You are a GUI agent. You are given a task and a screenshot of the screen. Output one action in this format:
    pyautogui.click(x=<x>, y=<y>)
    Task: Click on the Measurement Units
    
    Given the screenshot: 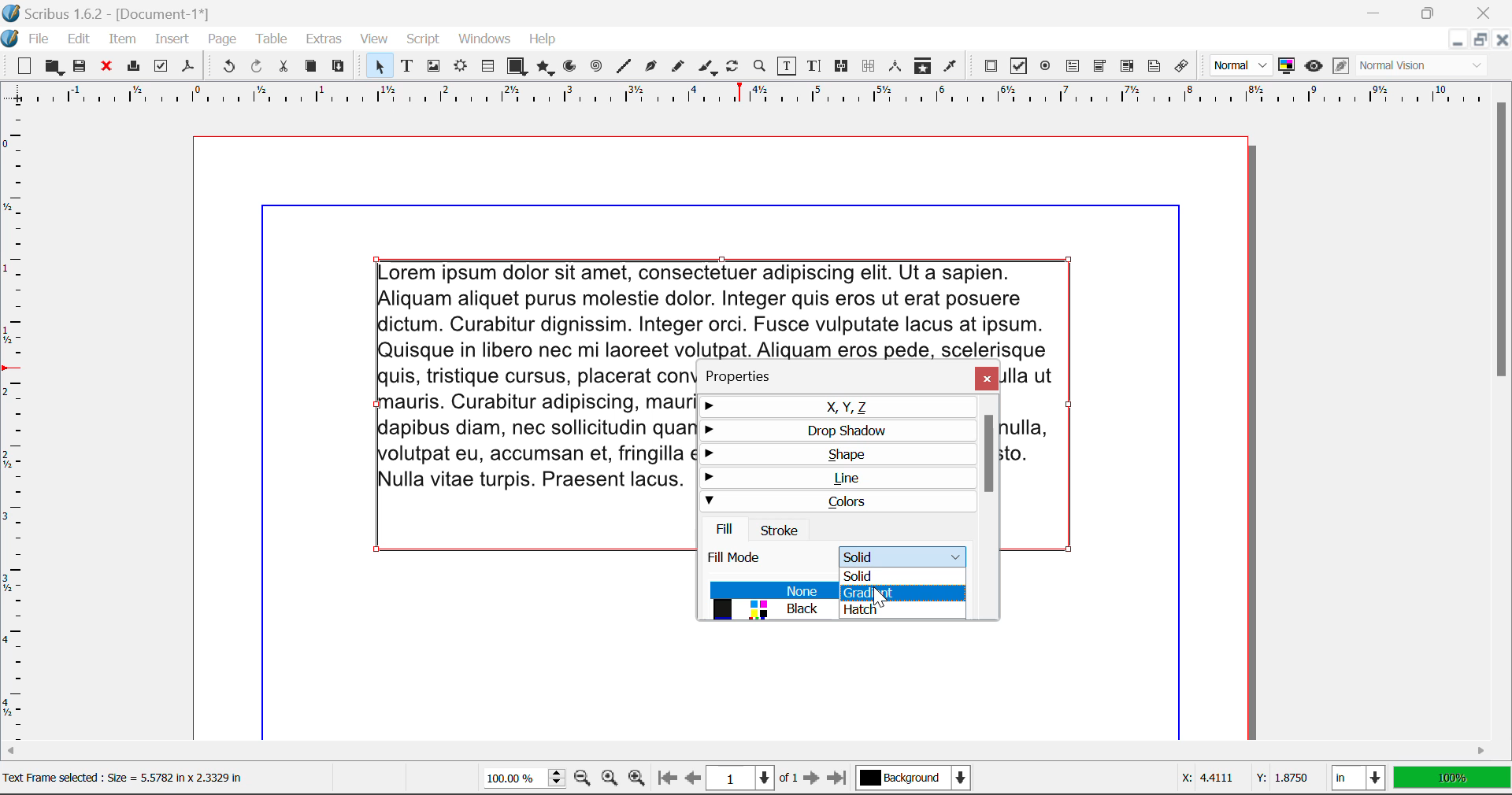 What is the action you would take?
    pyautogui.click(x=1360, y=780)
    